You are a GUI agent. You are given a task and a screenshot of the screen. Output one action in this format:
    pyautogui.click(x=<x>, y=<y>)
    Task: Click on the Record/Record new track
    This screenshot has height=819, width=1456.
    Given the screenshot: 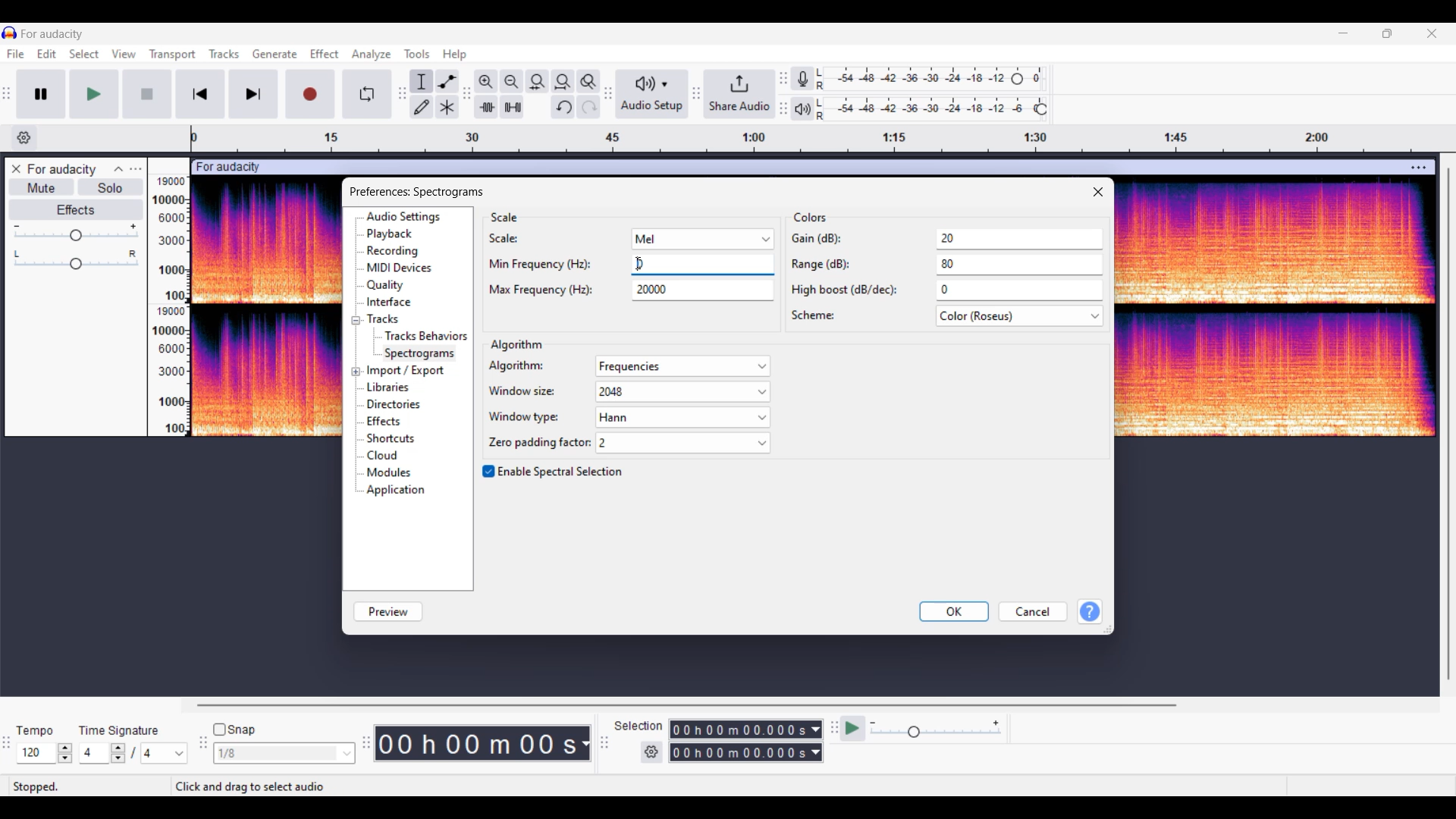 What is the action you would take?
    pyautogui.click(x=311, y=94)
    